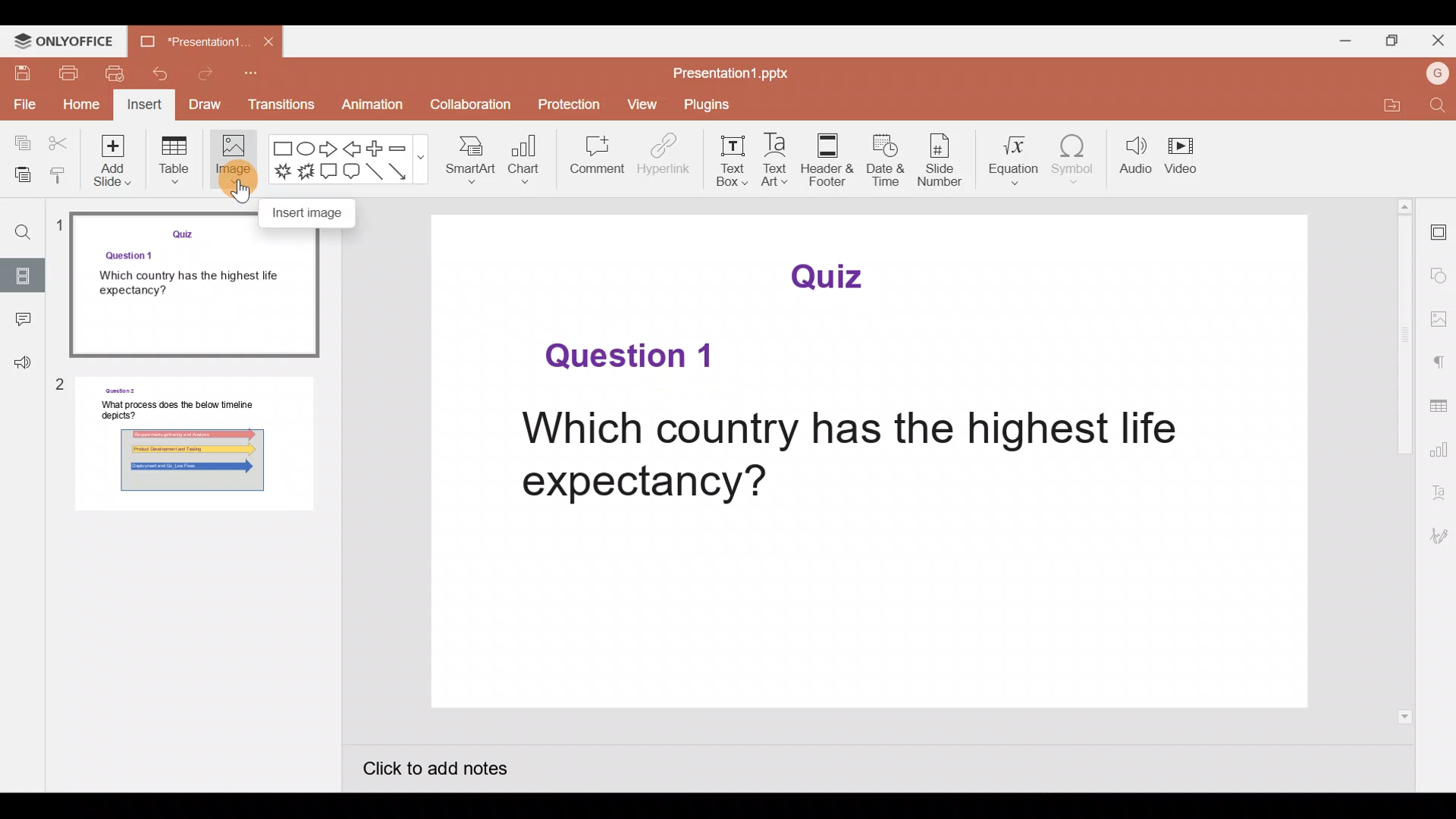 This screenshot has width=1456, height=819. What do you see at coordinates (115, 165) in the screenshot?
I see `Add slide` at bounding box center [115, 165].